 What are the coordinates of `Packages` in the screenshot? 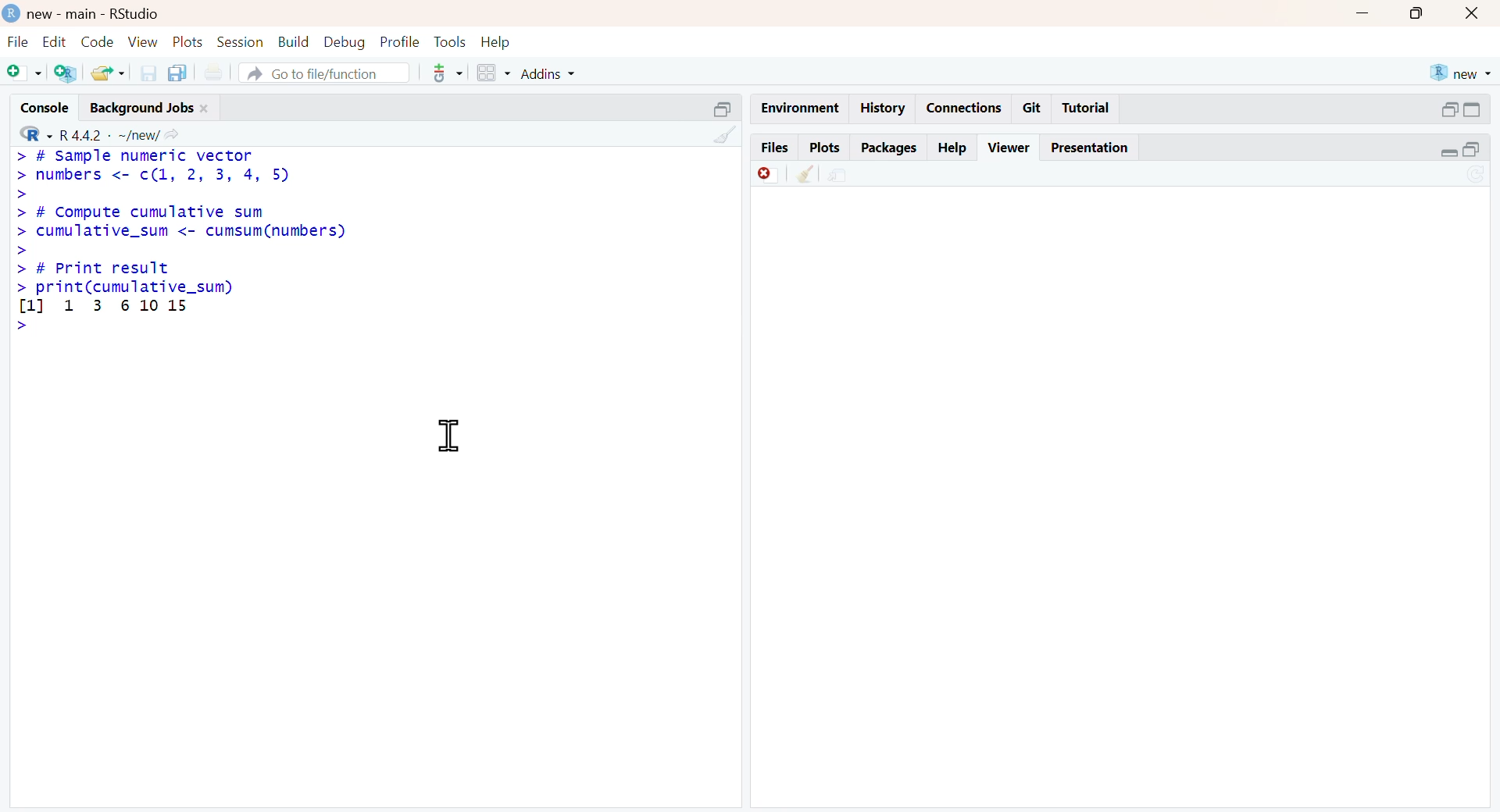 It's located at (891, 148).